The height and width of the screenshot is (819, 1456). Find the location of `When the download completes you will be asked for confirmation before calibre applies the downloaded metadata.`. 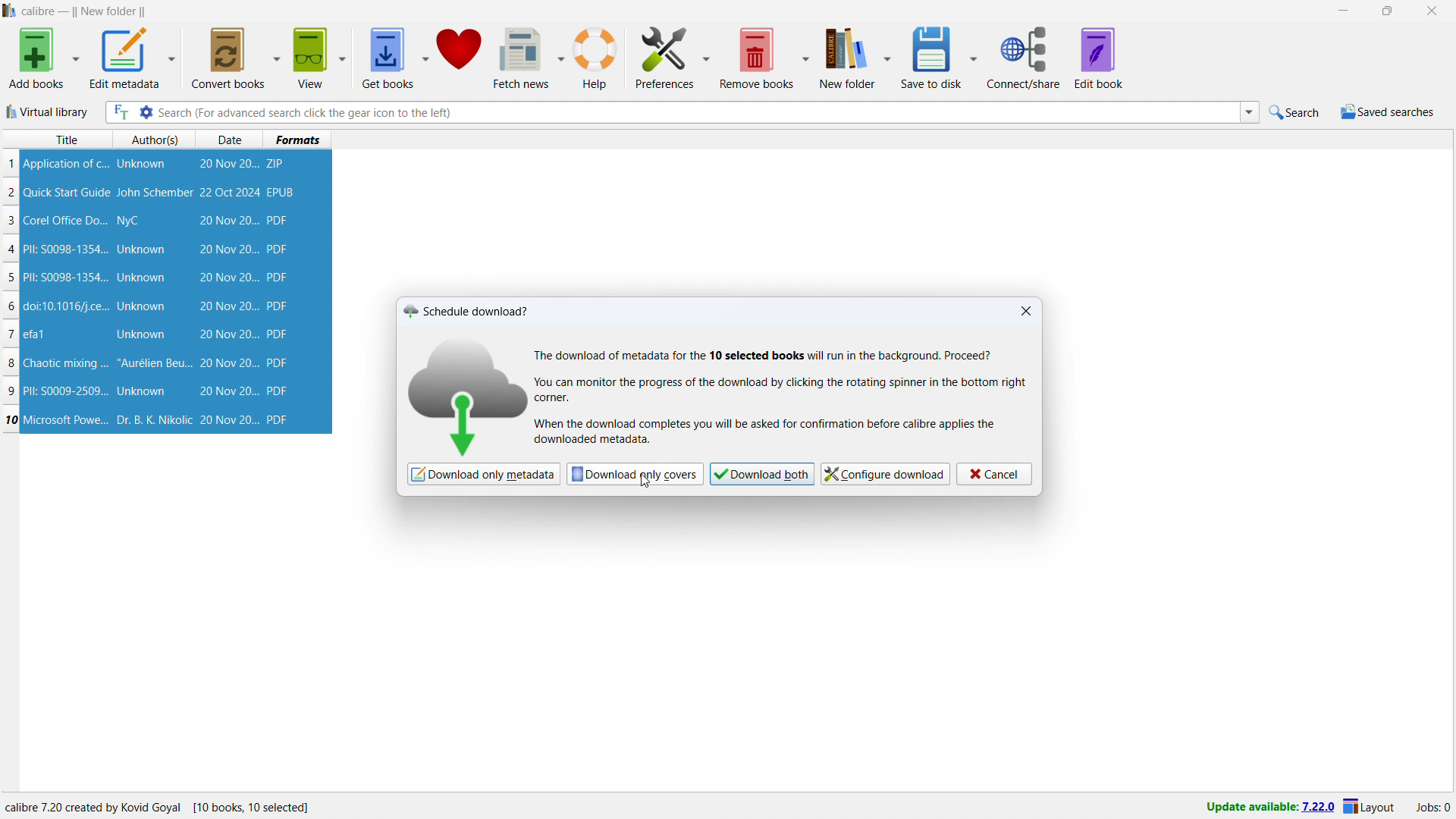

When the download completes you will be asked for confirmation before calibre applies the downloaded metadata. is located at coordinates (769, 432).